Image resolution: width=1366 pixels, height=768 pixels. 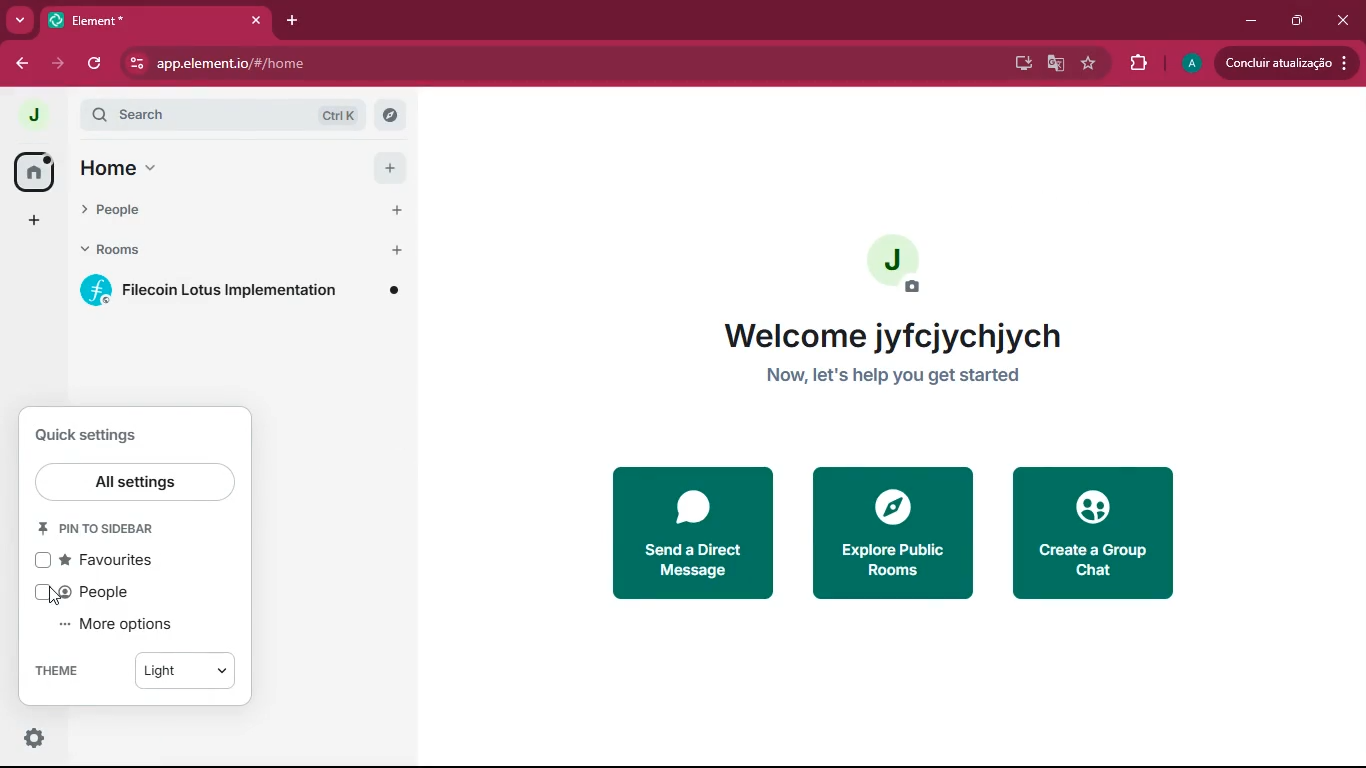 What do you see at coordinates (398, 250) in the screenshot?
I see `Add room` at bounding box center [398, 250].